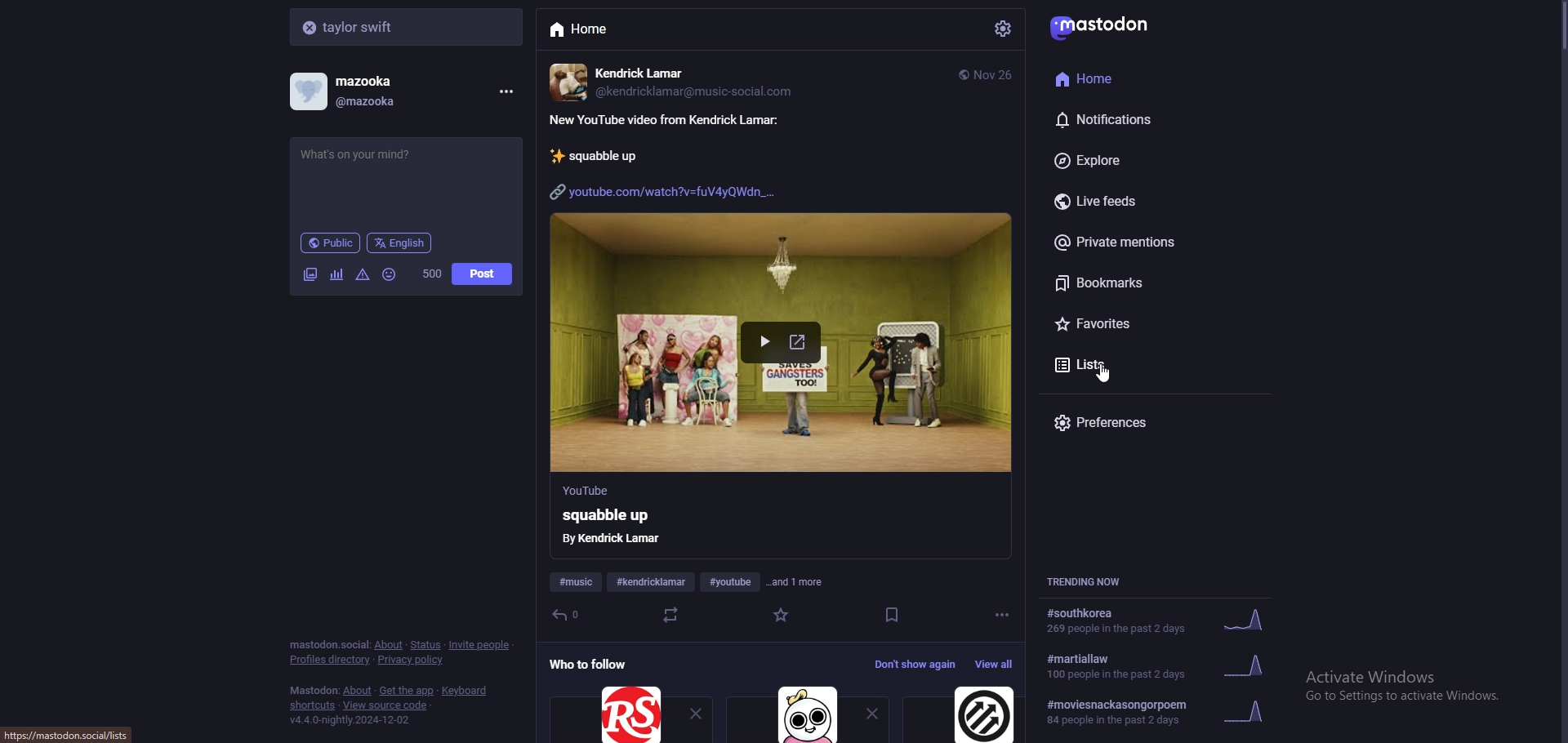 Image resolution: width=1568 pixels, height=743 pixels. Describe the element at coordinates (356, 91) in the screenshot. I see `profile` at that location.